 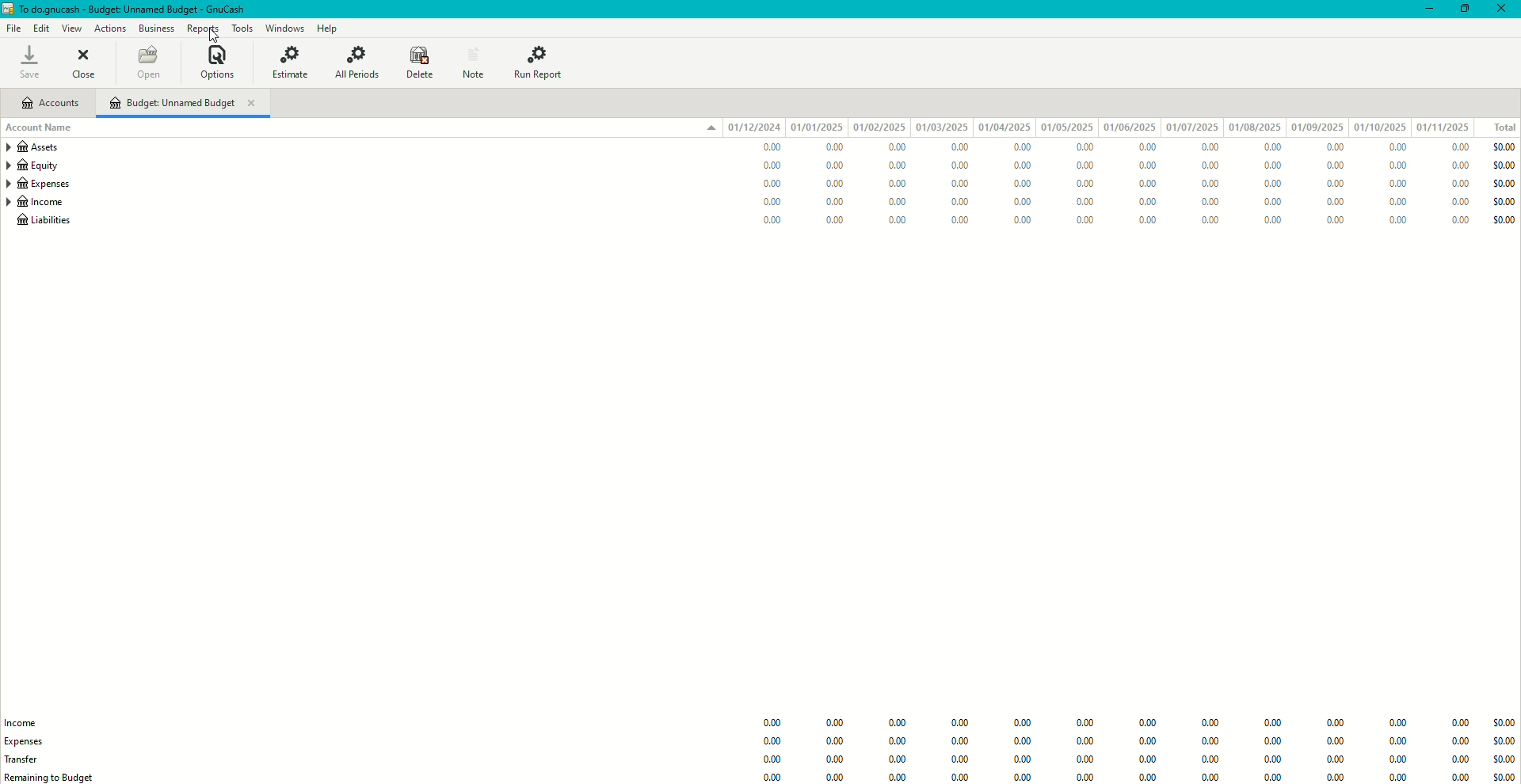 I want to click on Equity, so click(x=36, y=167).